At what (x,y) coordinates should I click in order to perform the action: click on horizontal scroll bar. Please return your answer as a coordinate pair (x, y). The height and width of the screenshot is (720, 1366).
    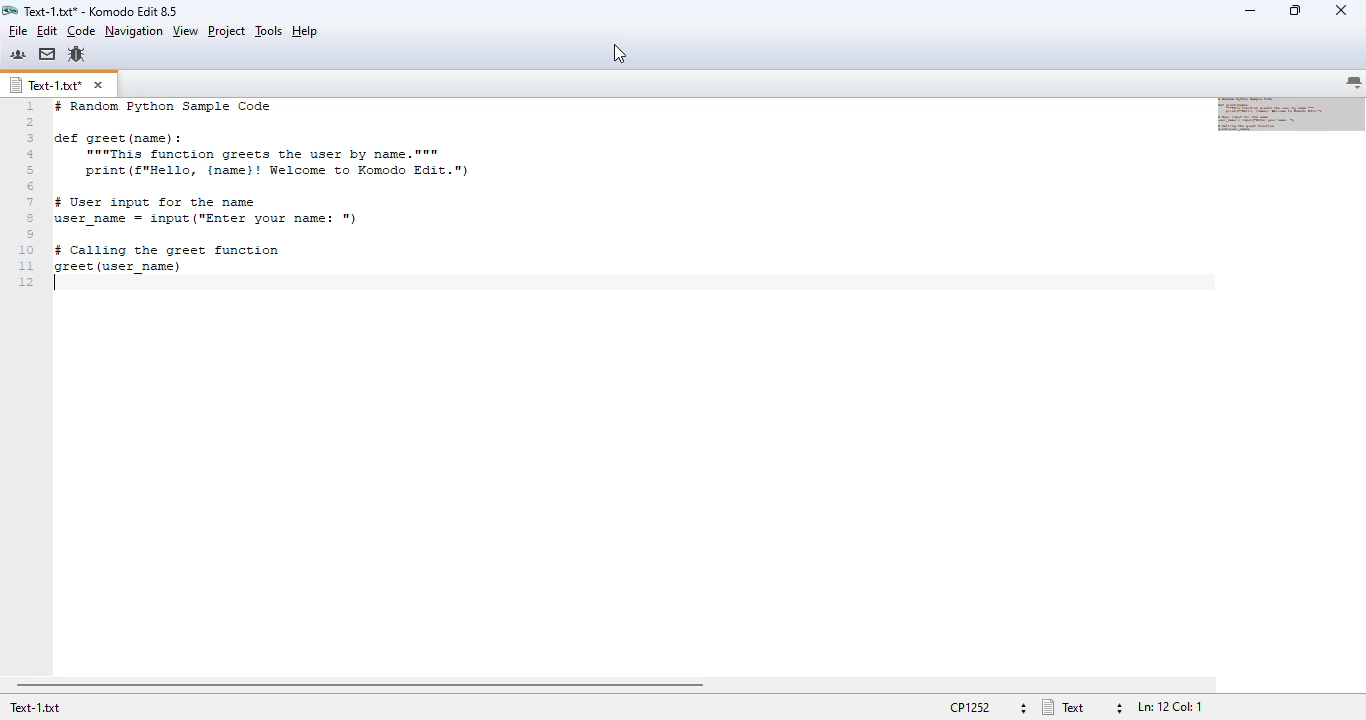
    Looking at the image, I should click on (360, 685).